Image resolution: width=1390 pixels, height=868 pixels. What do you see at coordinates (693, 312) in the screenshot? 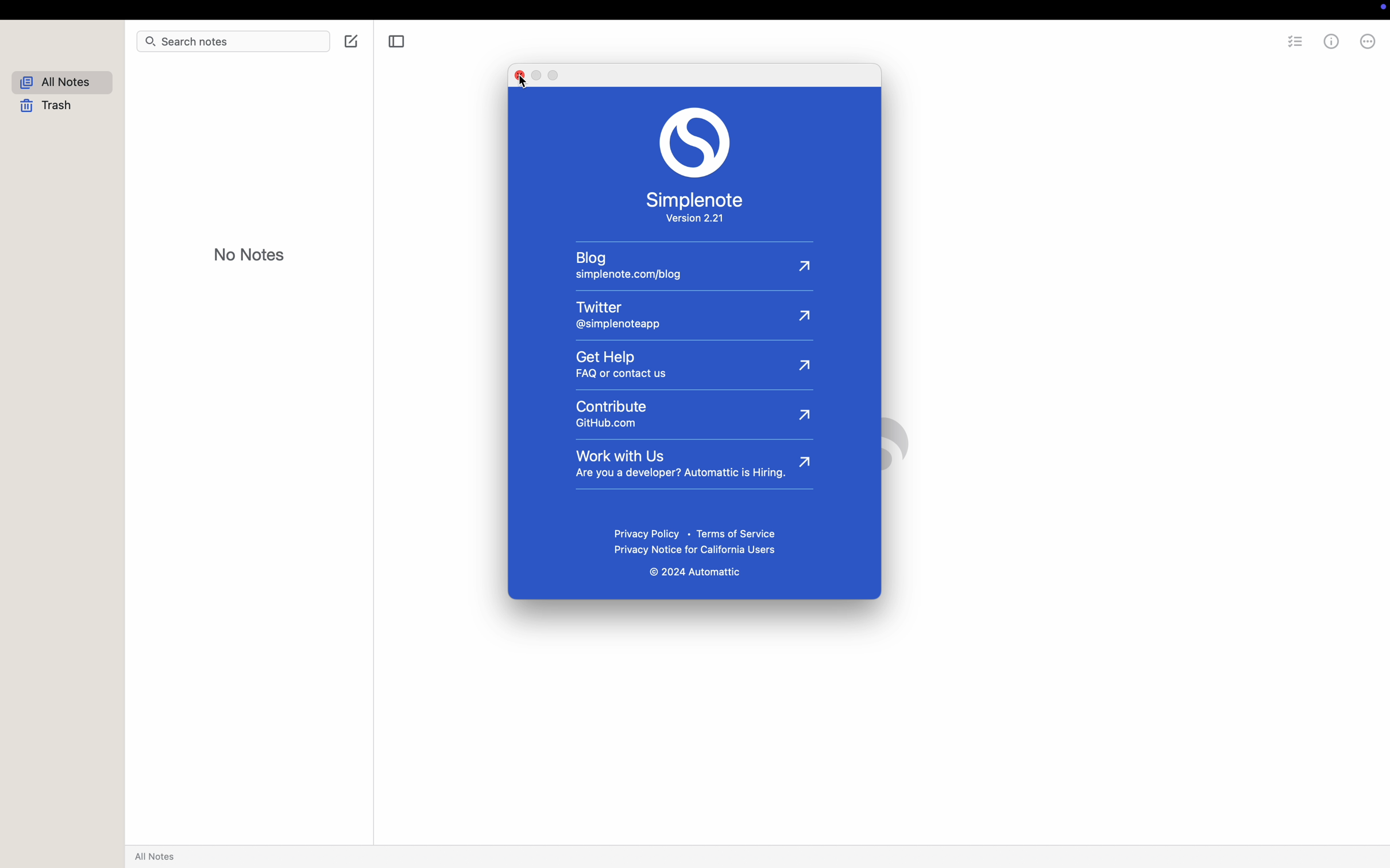
I see `twitter` at bounding box center [693, 312].